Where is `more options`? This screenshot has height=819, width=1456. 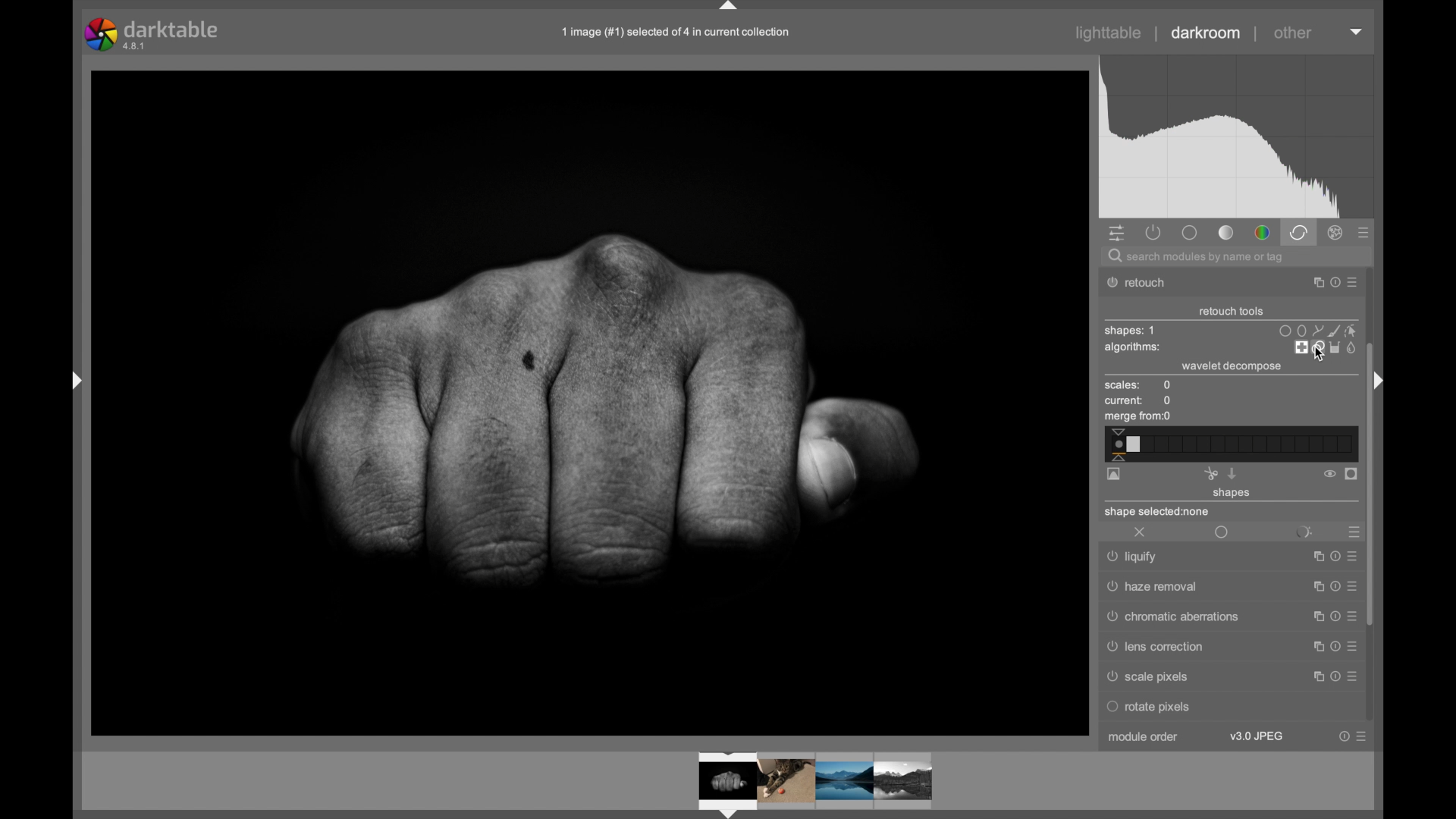 more options is located at coordinates (1352, 646).